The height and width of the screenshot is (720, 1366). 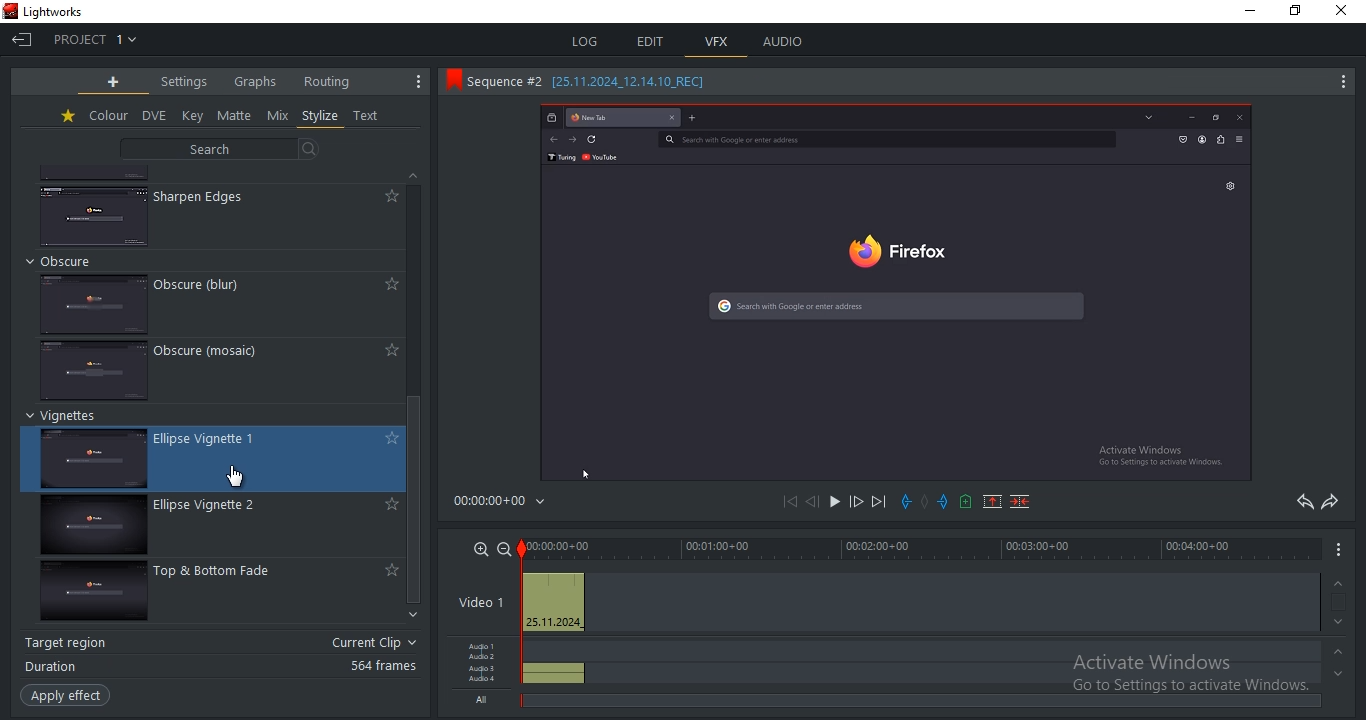 I want to click on Edit menu selected, so click(x=684, y=60).